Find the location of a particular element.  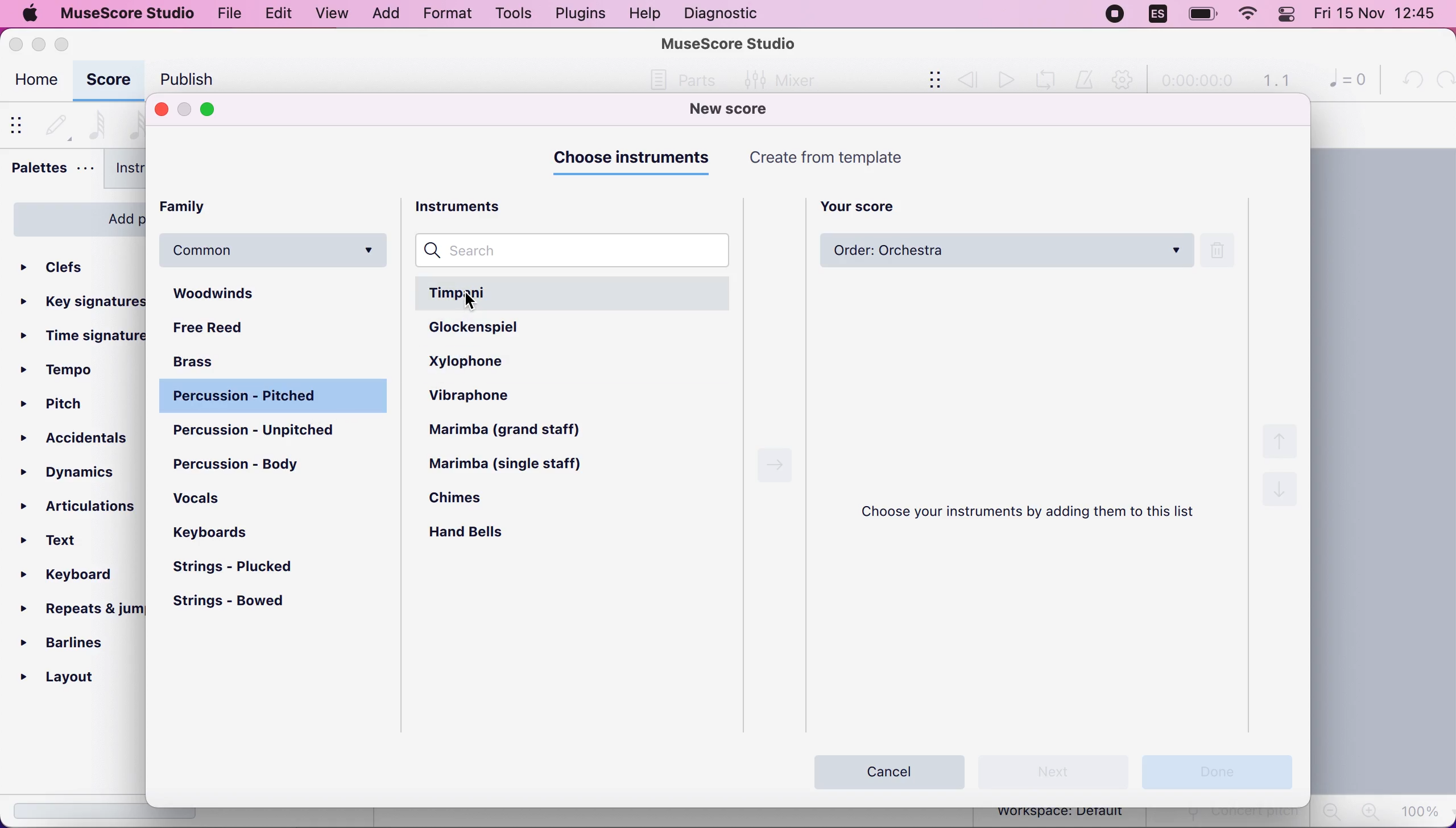

panel control is located at coordinates (1289, 15).